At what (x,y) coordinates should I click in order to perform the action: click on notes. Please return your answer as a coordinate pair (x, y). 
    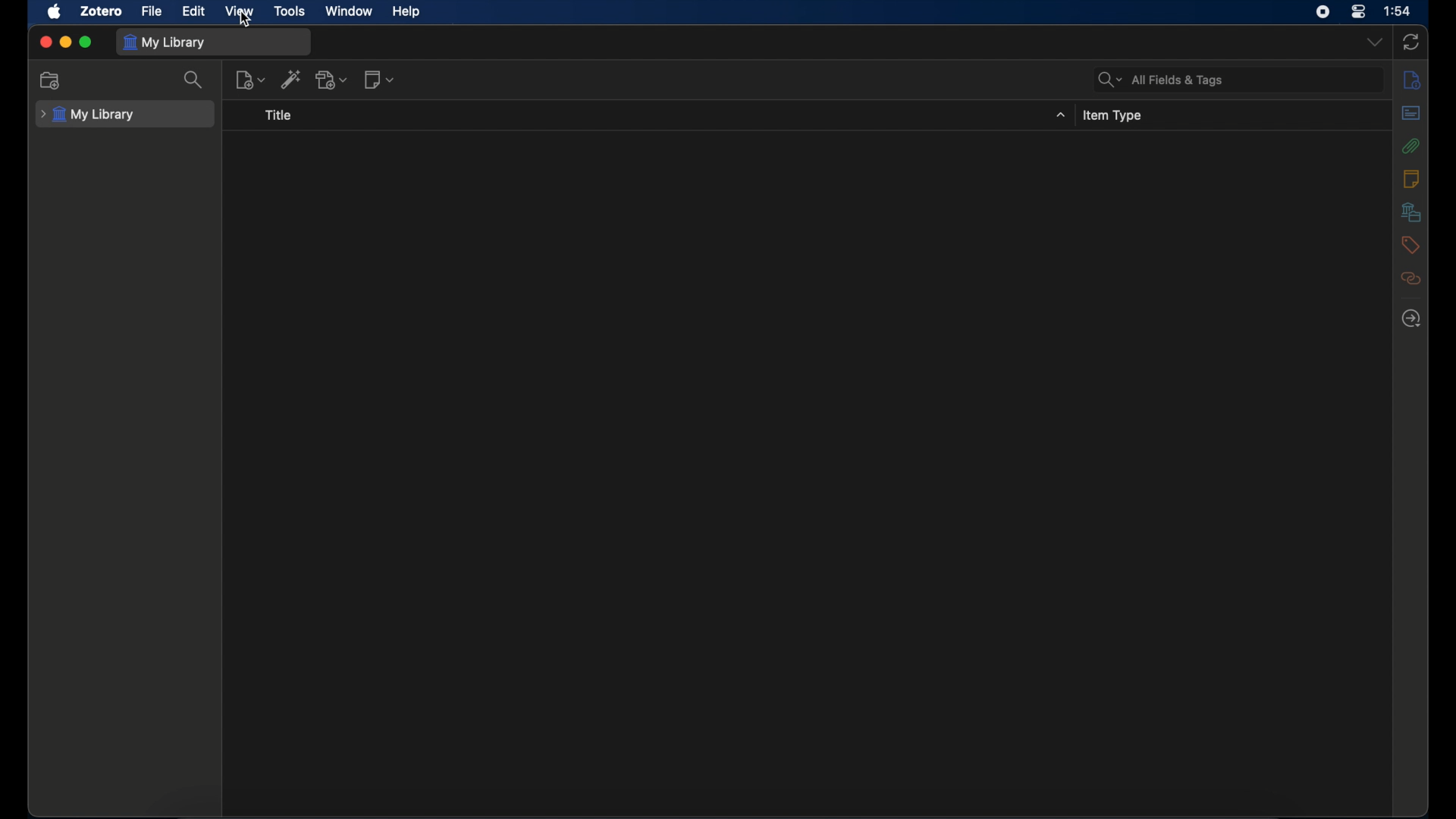
    Looking at the image, I should click on (1411, 180).